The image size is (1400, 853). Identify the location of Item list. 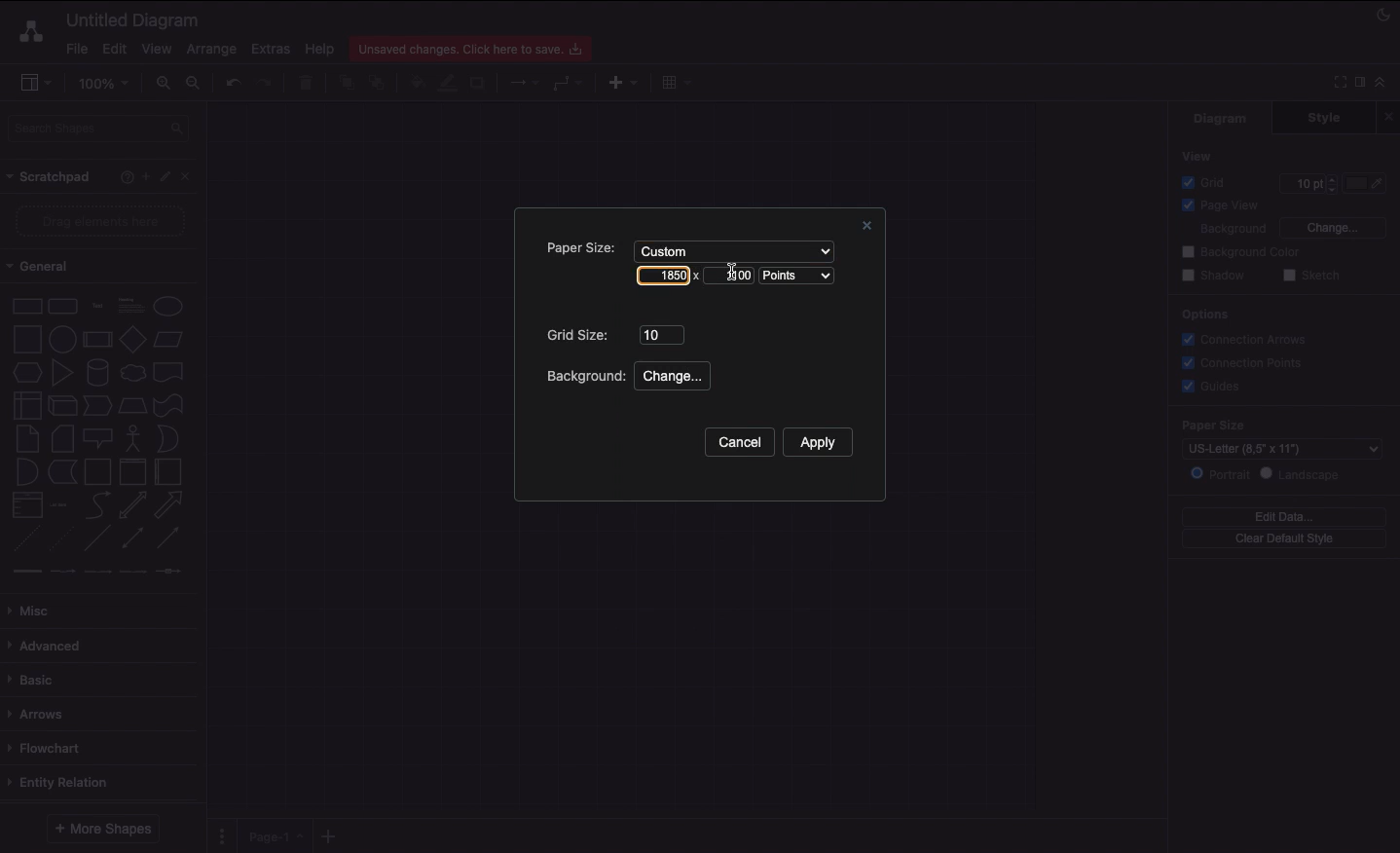
(64, 505).